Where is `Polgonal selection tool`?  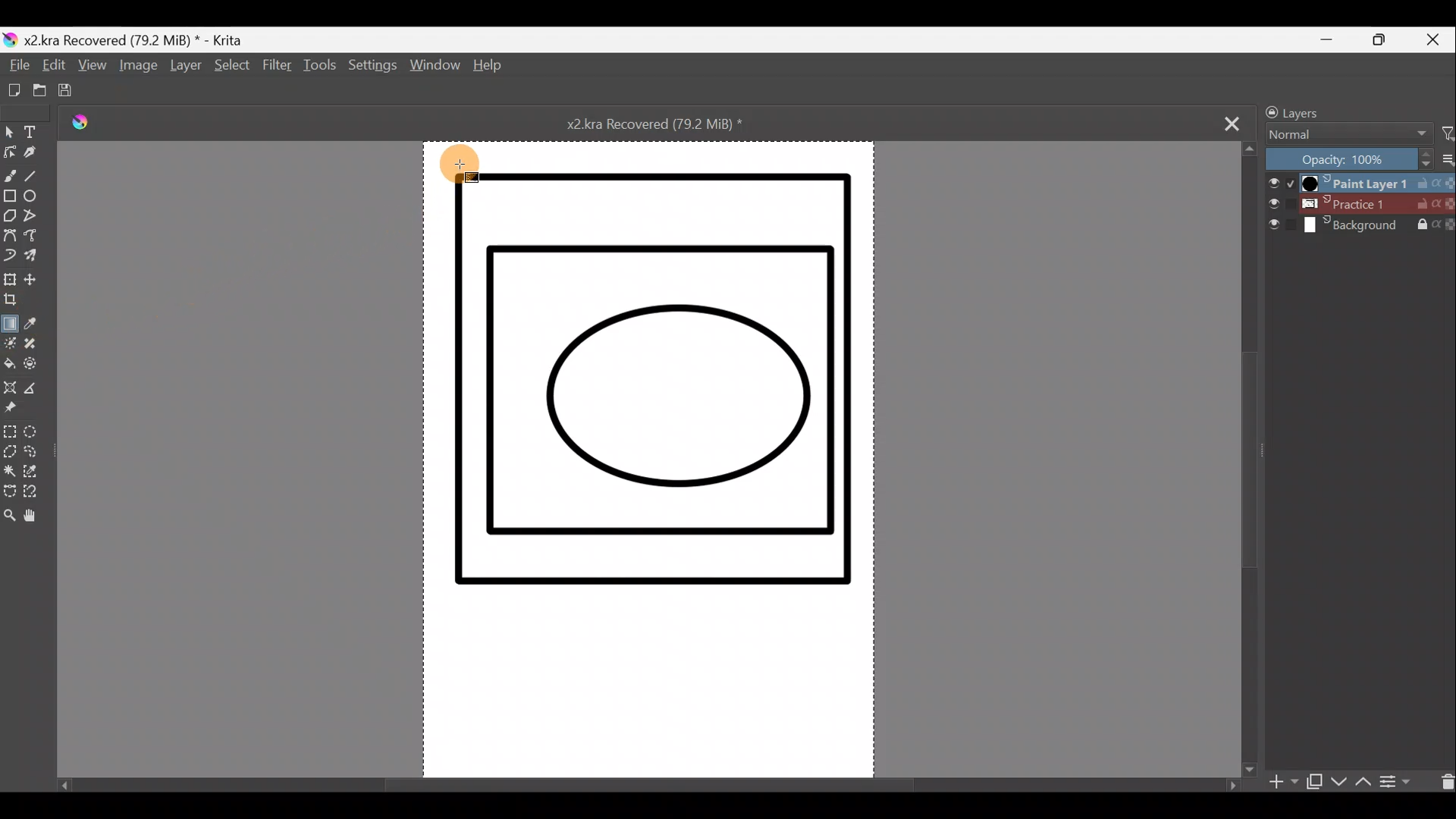
Polgonal selection tool is located at coordinates (9, 453).